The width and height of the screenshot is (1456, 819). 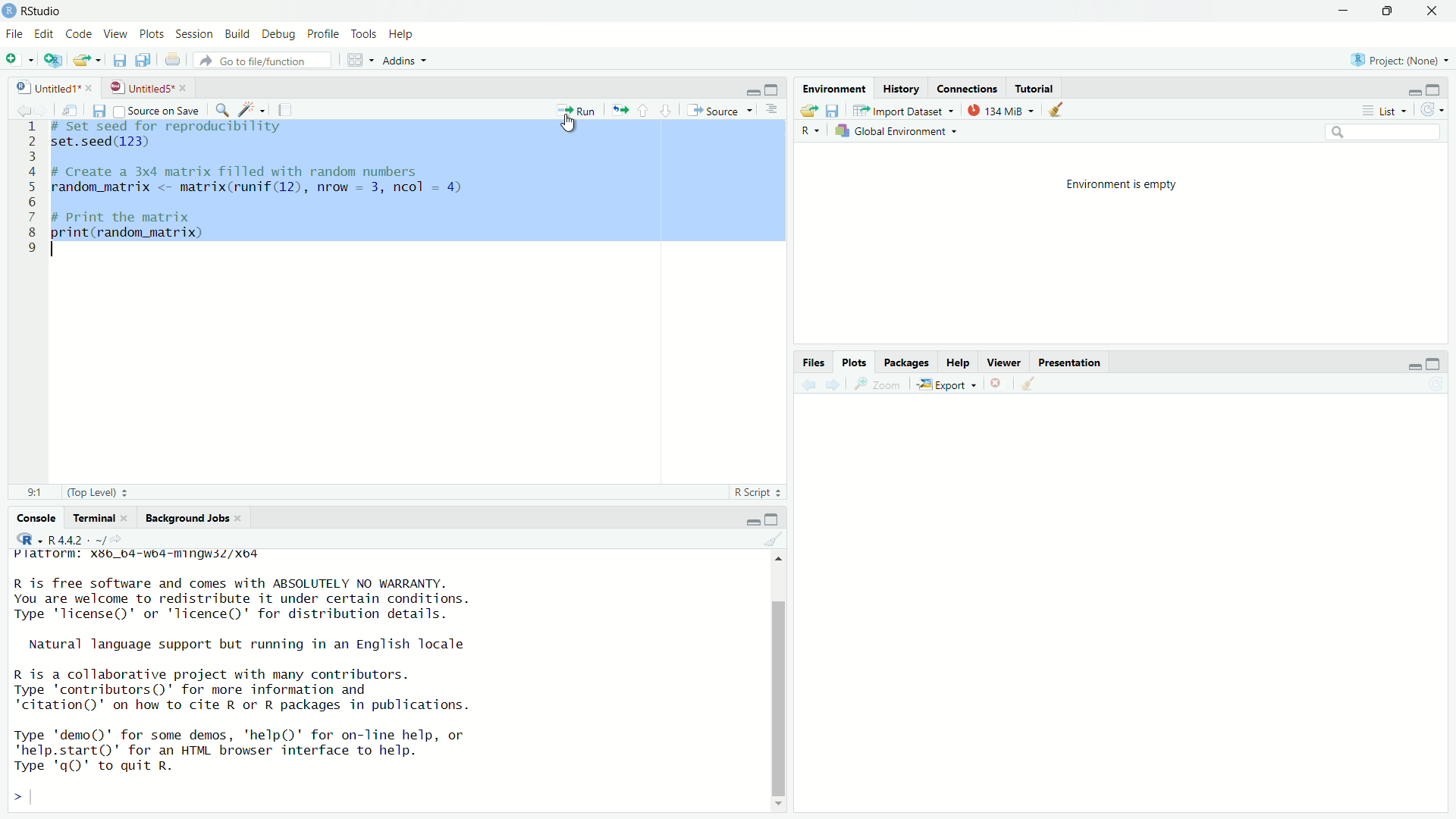 I want to click on Help, so click(x=960, y=361).